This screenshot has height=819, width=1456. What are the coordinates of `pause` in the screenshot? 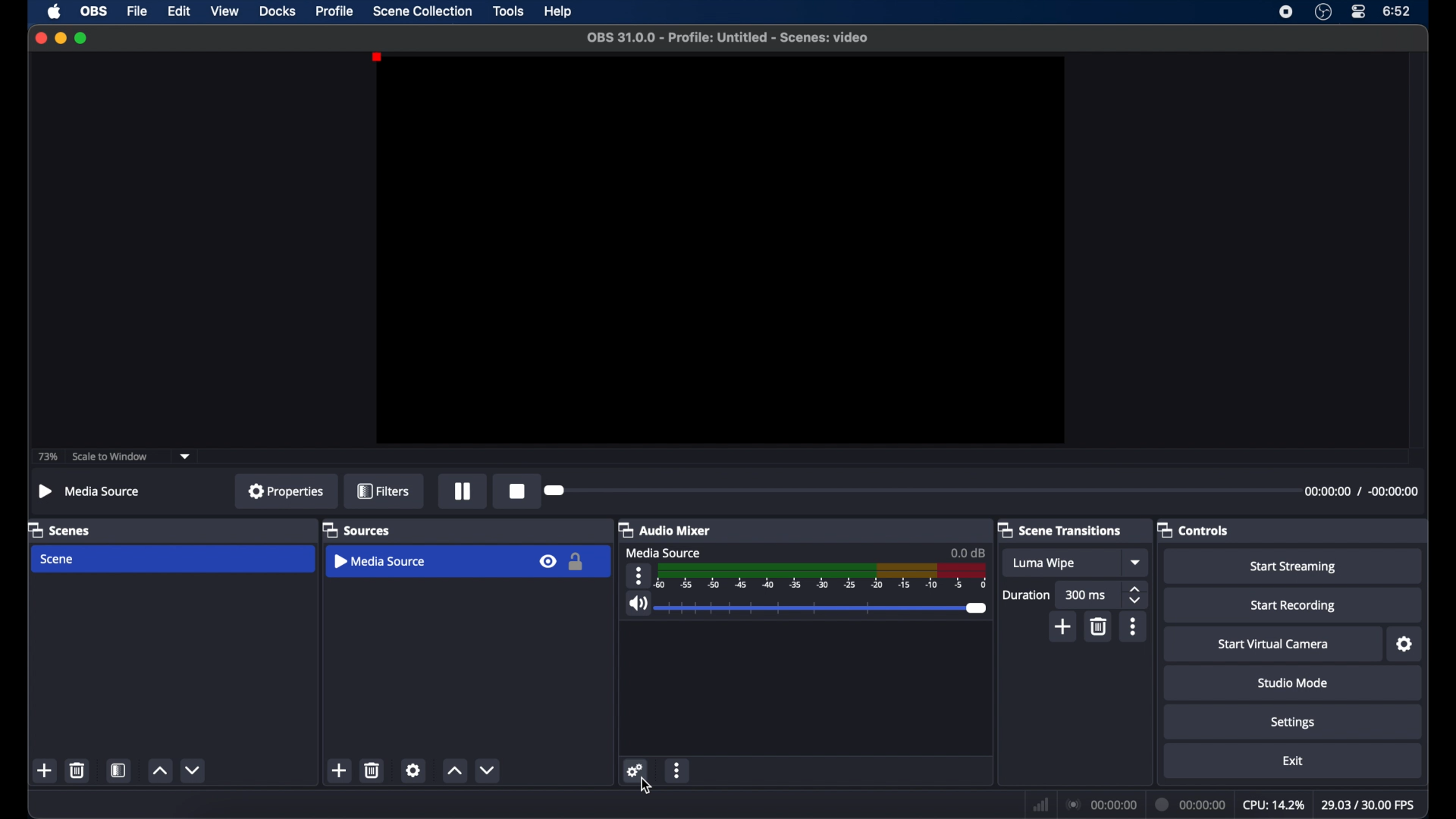 It's located at (463, 491).